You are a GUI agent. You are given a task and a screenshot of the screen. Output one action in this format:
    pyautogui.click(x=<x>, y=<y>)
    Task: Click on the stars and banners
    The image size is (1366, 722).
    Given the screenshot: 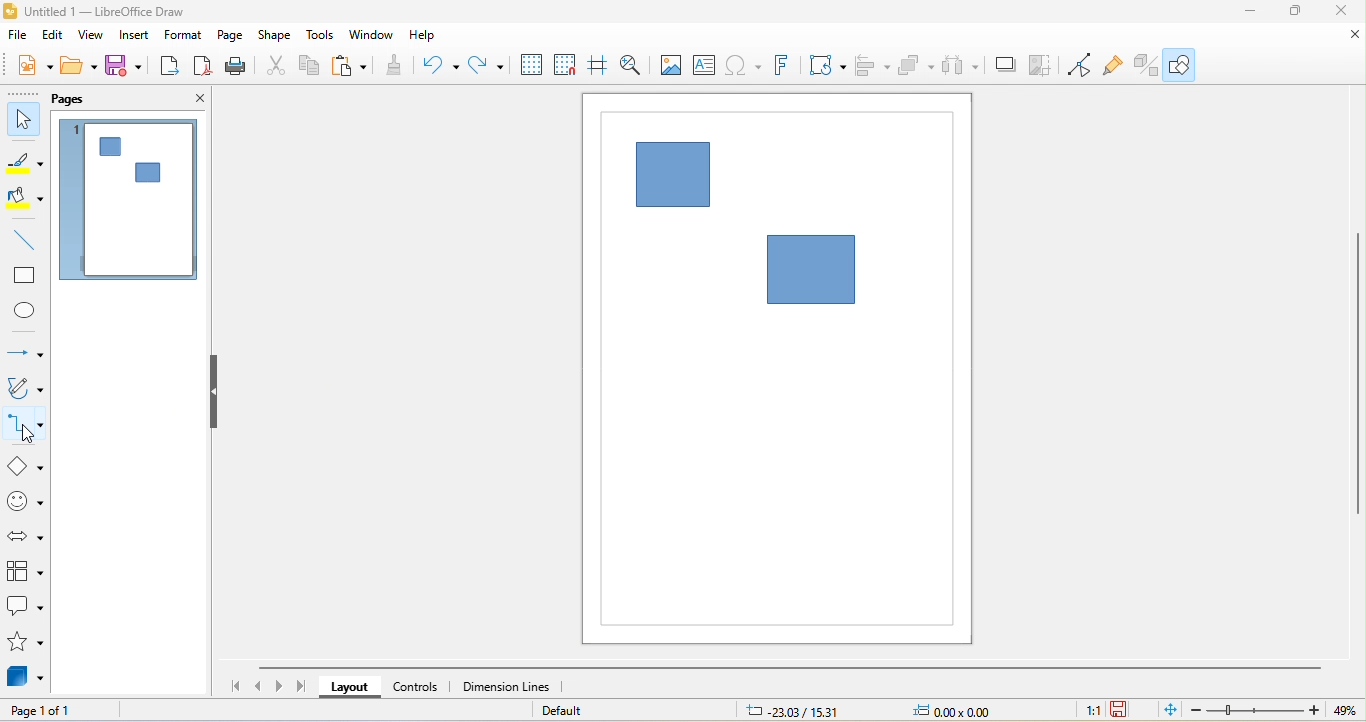 What is the action you would take?
    pyautogui.click(x=27, y=642)
    